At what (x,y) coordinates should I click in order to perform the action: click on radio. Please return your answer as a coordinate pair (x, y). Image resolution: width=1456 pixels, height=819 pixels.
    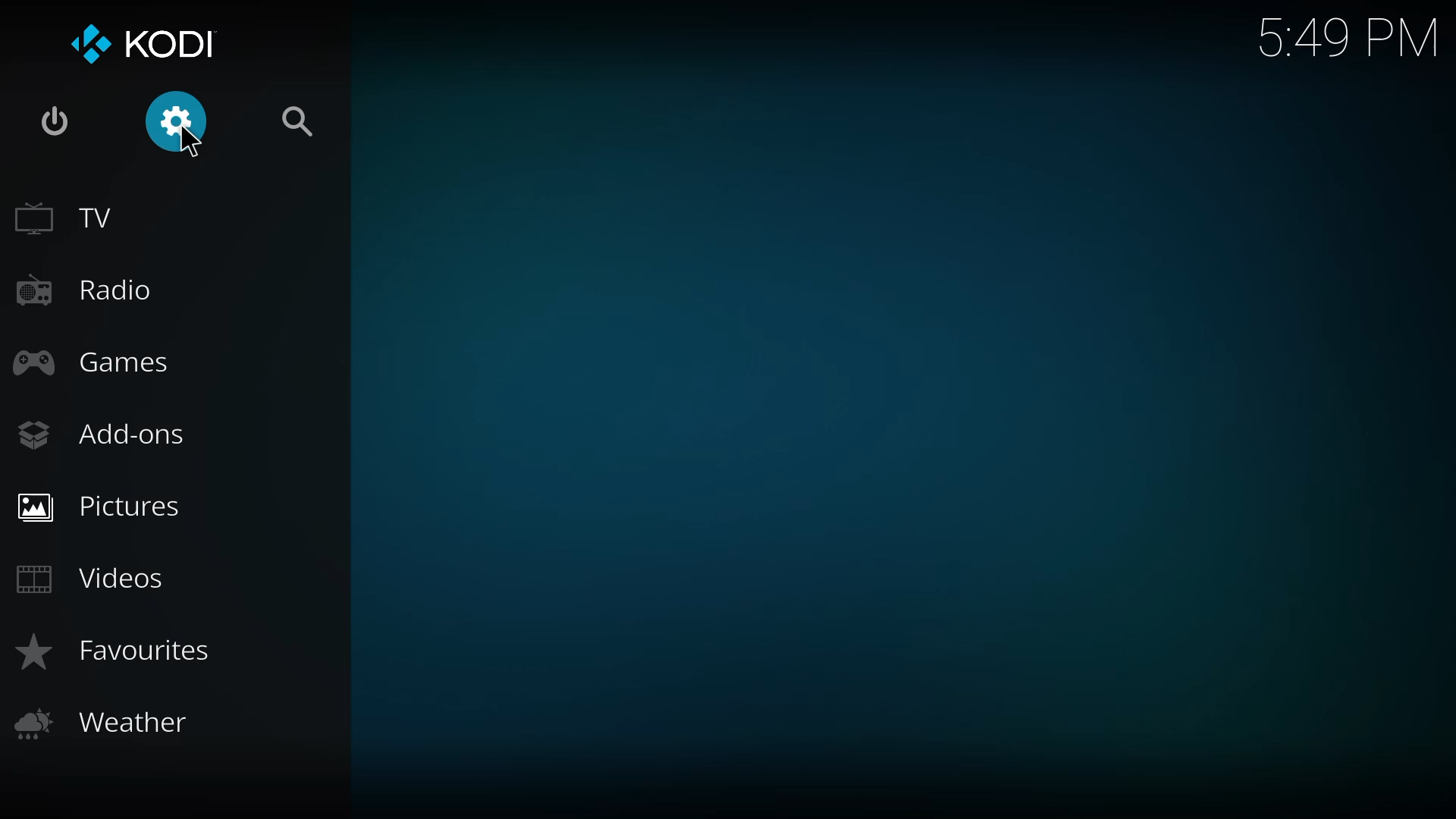
    Looking at the image, I should click on (88, 290).